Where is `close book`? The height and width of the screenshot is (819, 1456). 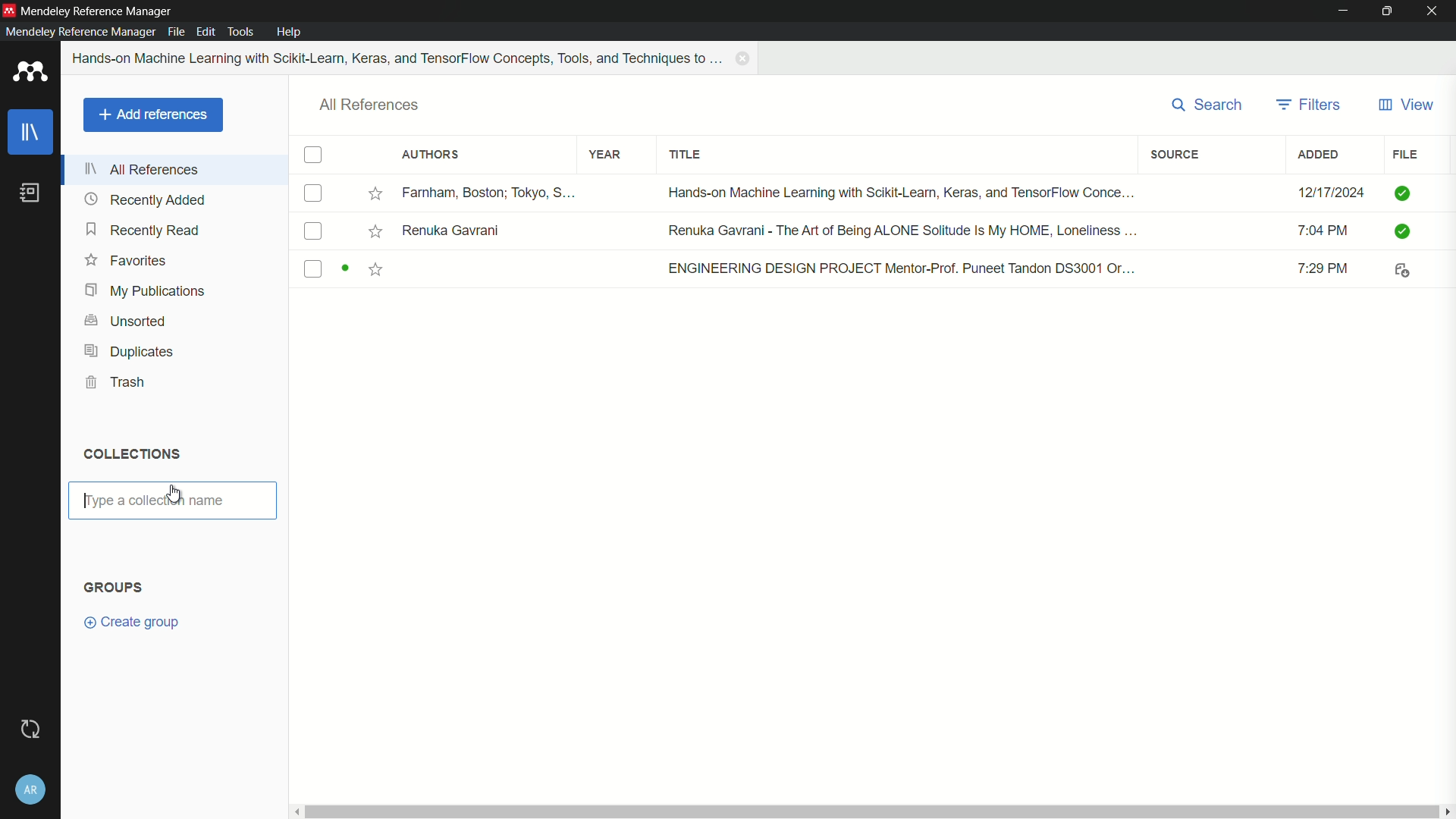 close book is located at coordinates (745, 58).